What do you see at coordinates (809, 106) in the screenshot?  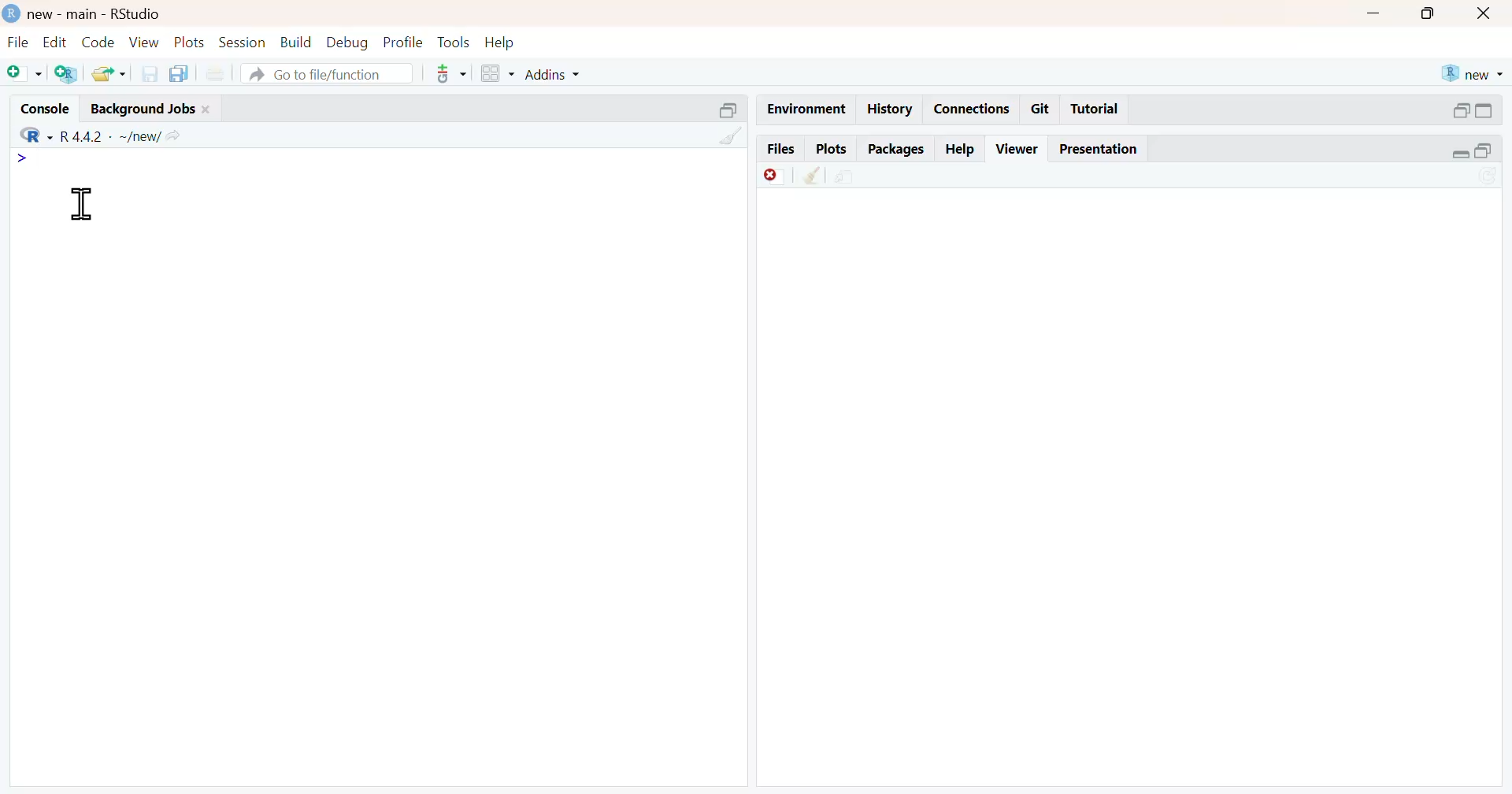 I see `environment` at bounding box center [809, 106].